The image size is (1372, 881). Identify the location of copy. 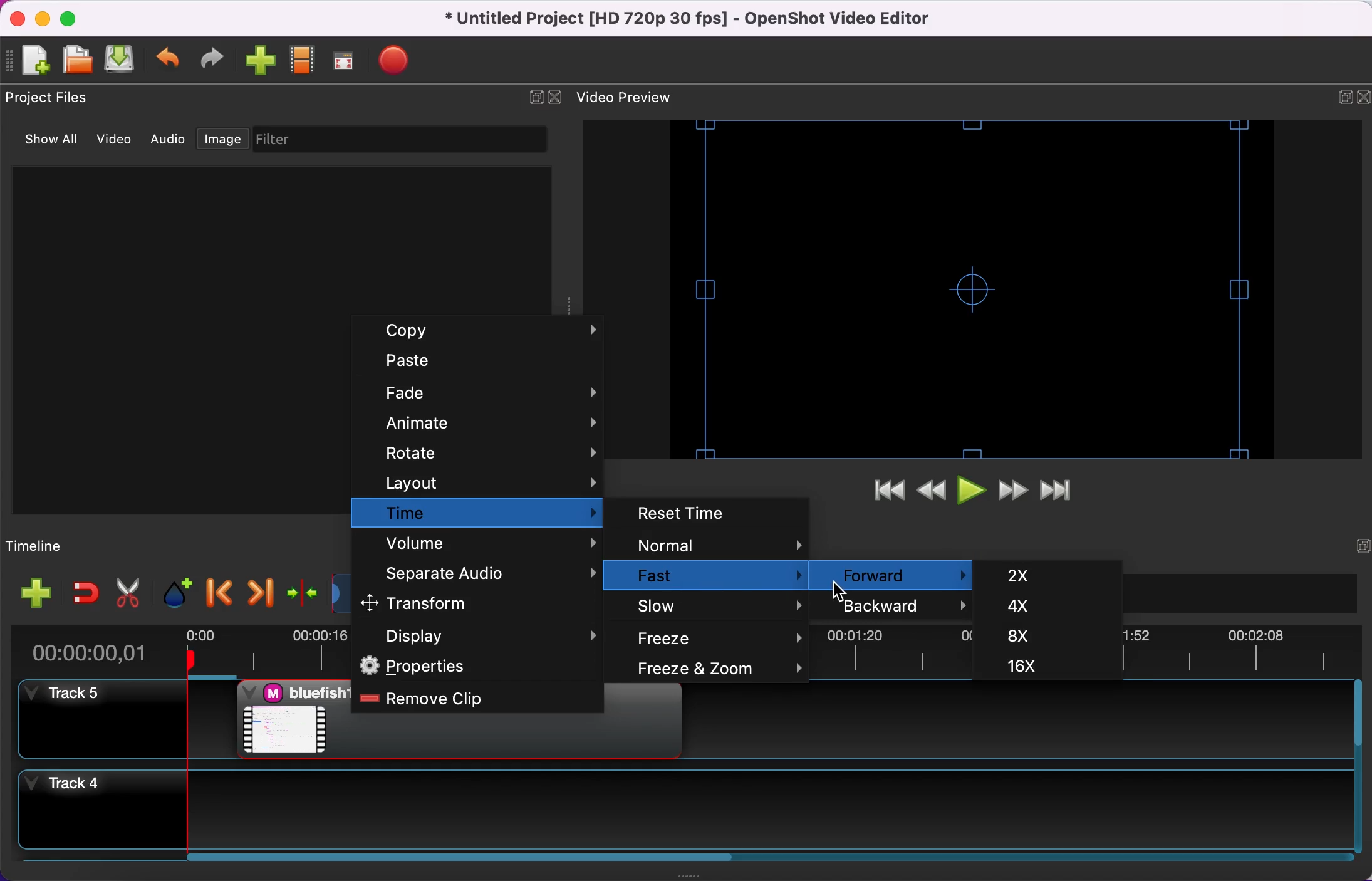
(491, 332).